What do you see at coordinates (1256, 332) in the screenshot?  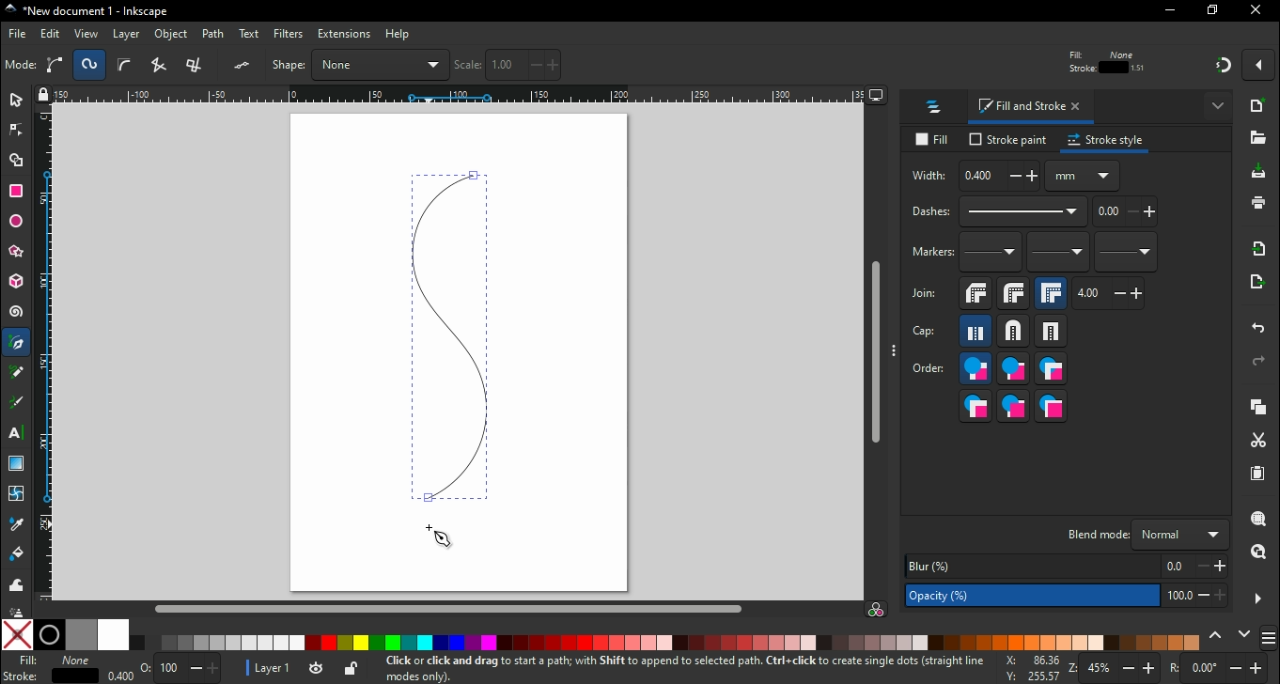 I see `undo` at bounding box center [1256, 332].